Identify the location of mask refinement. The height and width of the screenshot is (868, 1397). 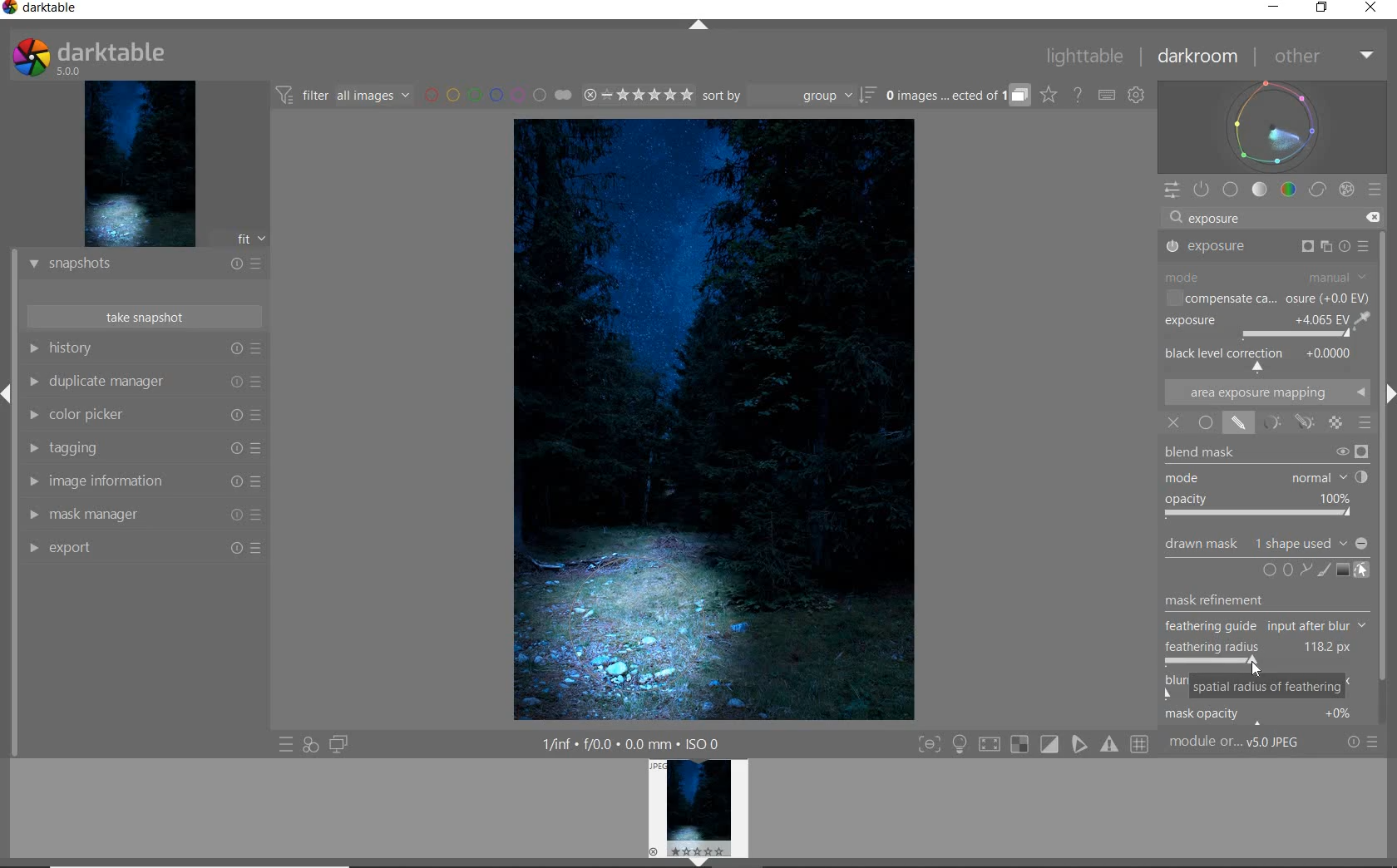
(1260, 600).